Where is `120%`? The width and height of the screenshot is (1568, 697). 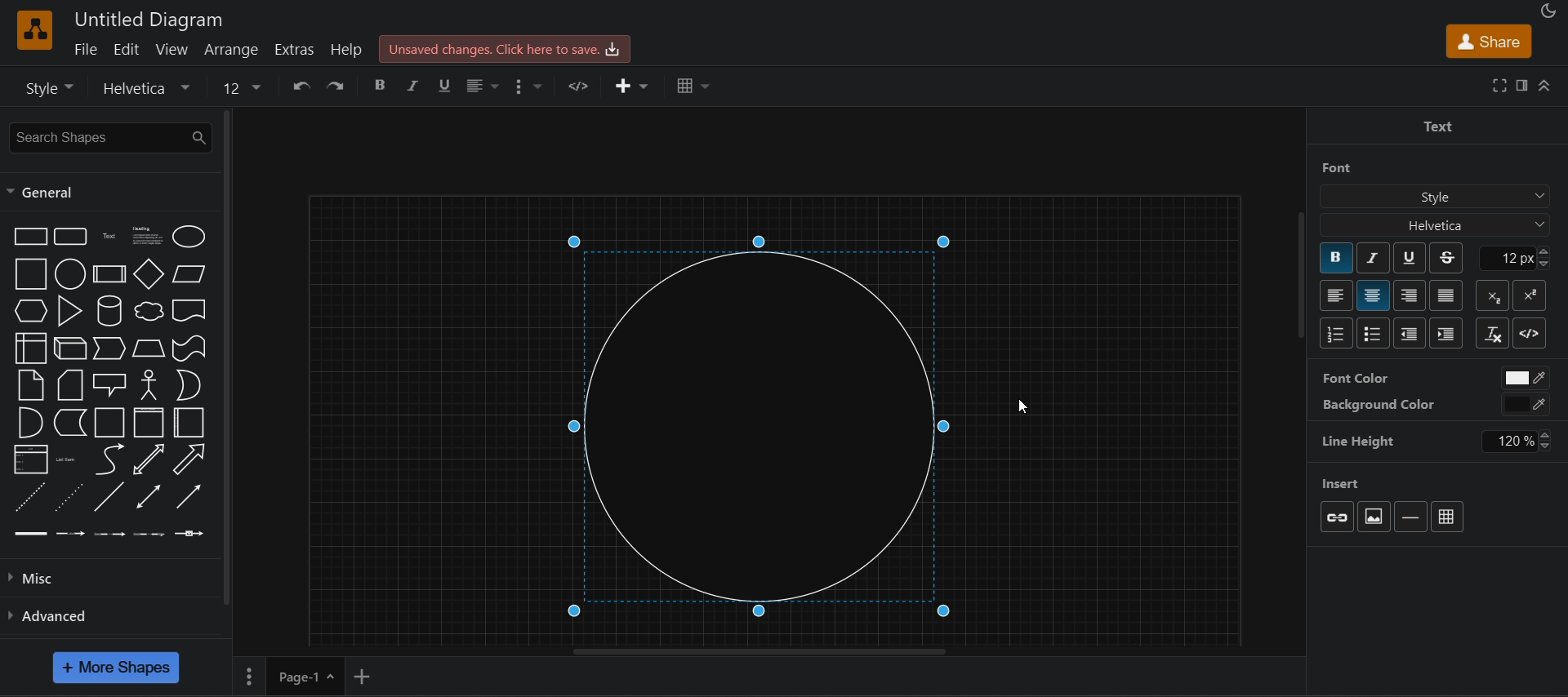
120% is located at coordinates (1523, 440).